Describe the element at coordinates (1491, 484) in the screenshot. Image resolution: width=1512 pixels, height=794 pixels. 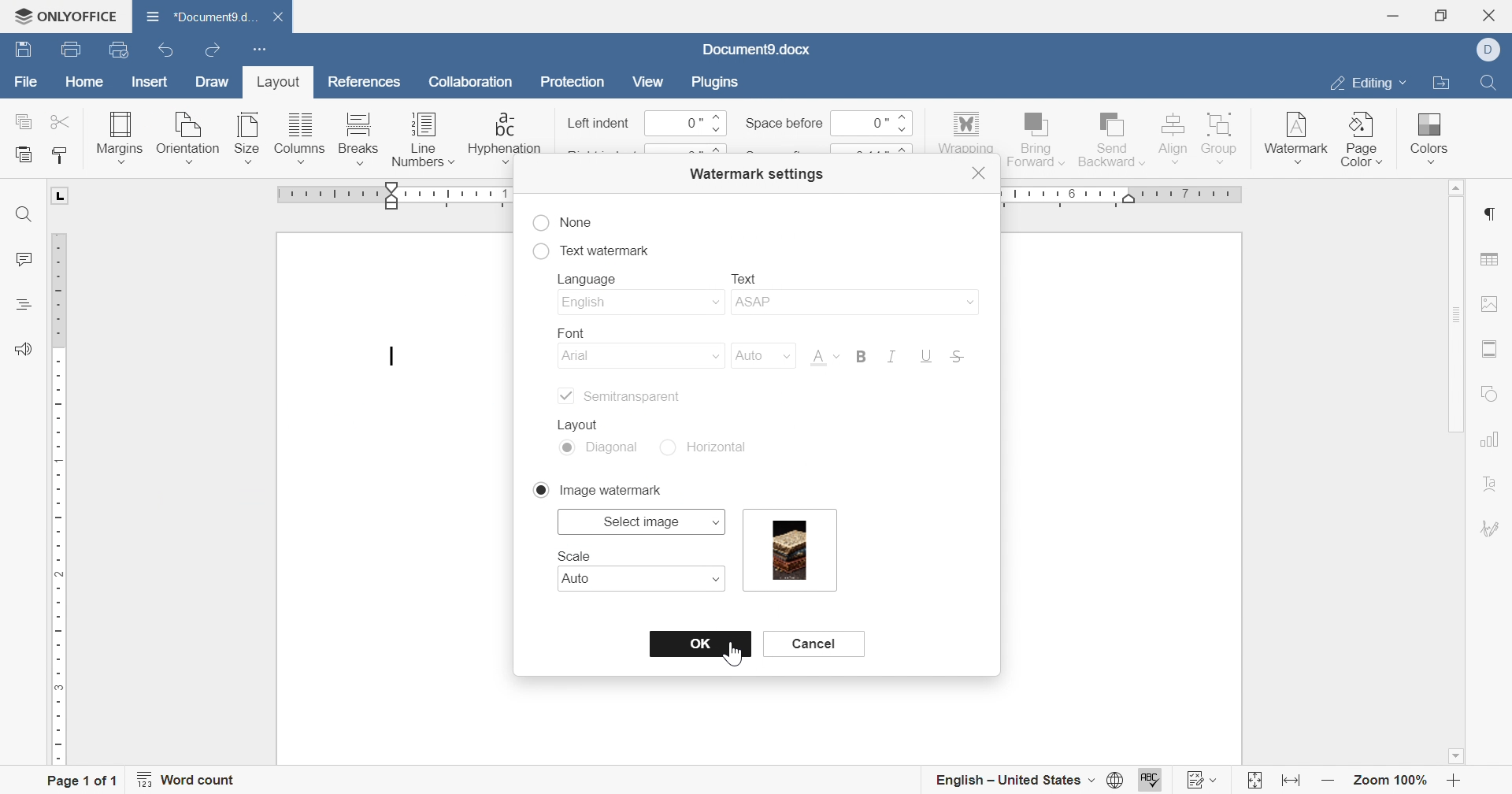
I see `text art settigns` at that location.